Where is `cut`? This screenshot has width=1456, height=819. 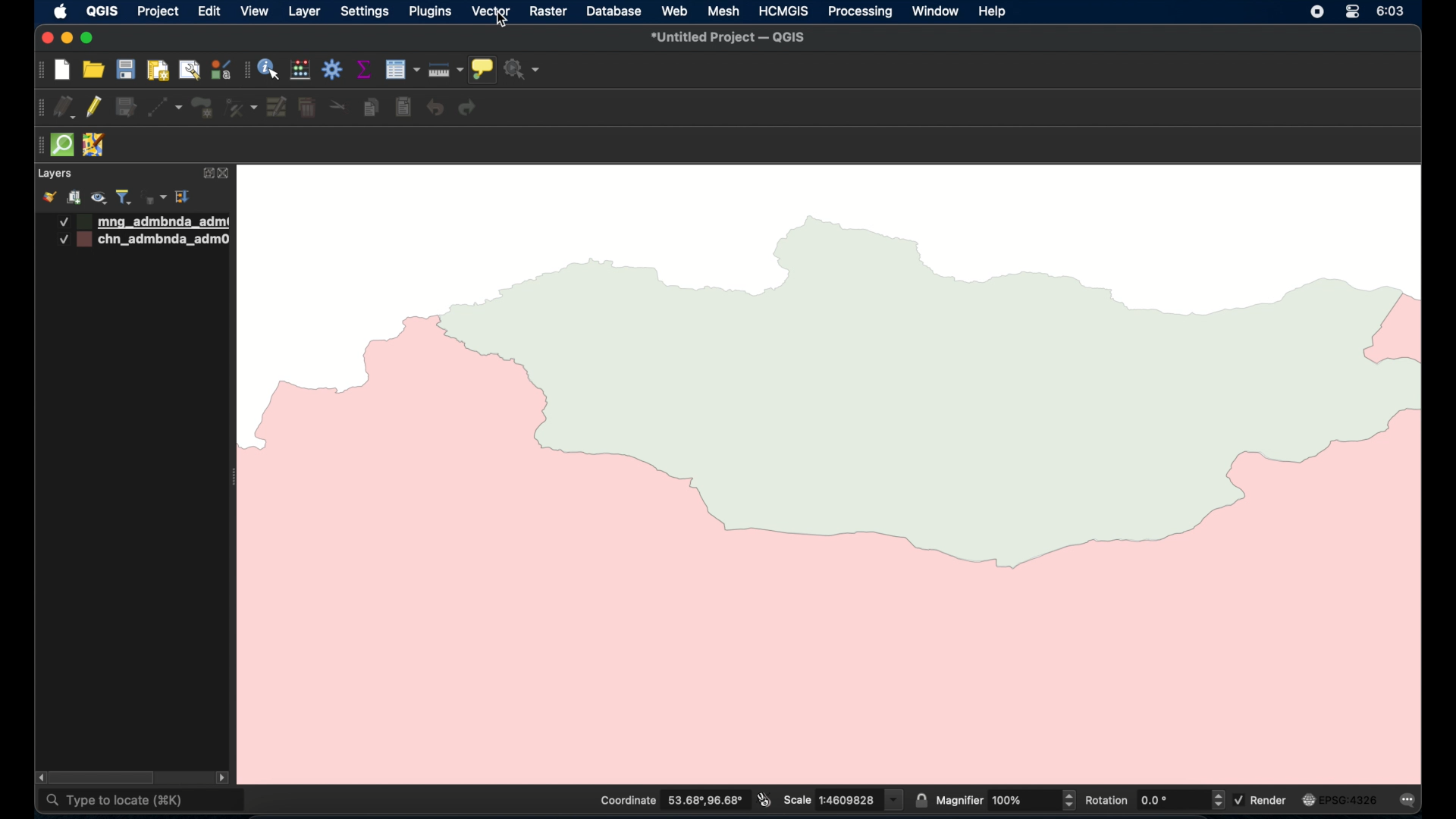 cut is located at coordinates (338, 105).